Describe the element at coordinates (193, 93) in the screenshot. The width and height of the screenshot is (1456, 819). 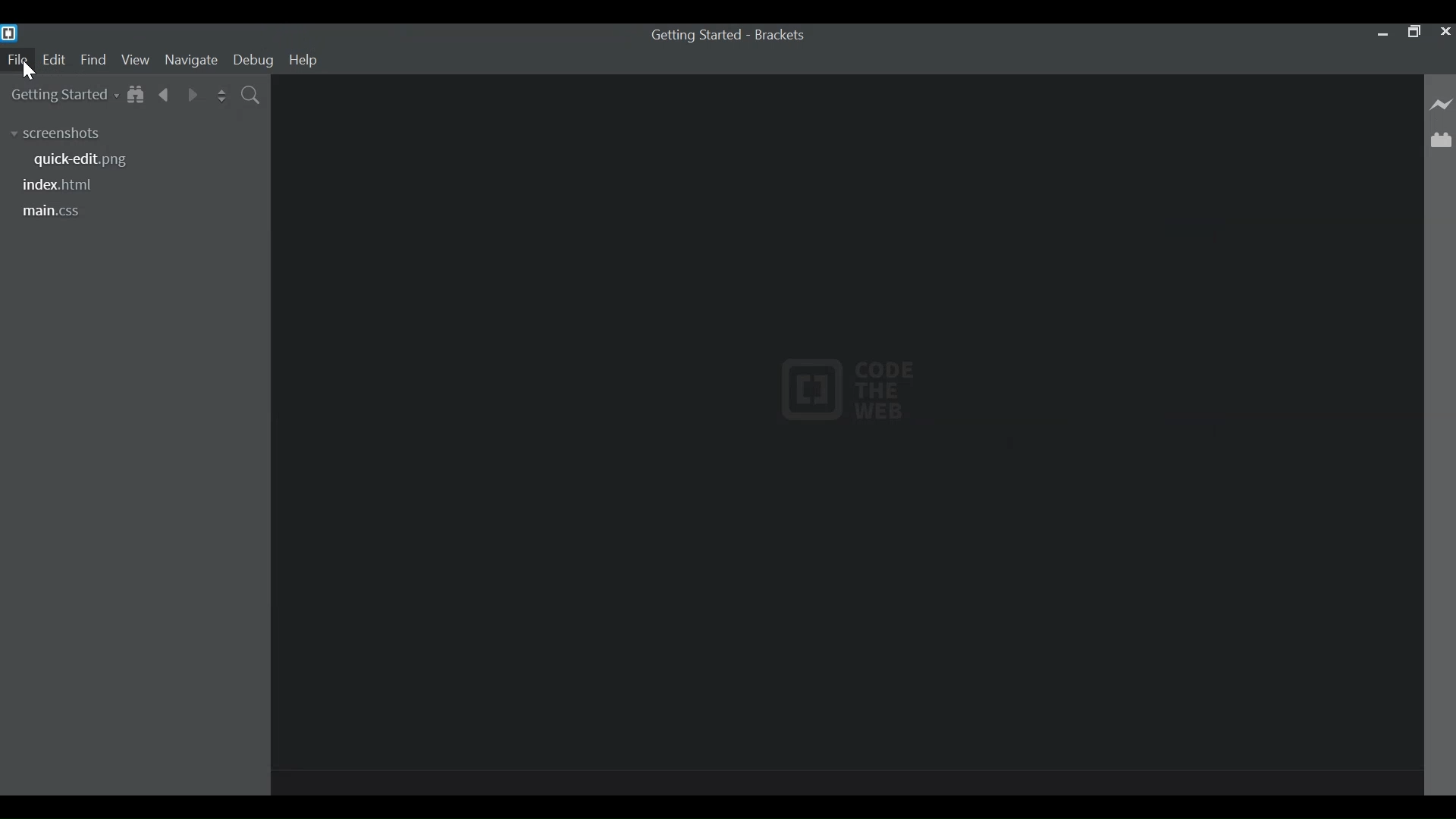
I see `Navigate Forward` at that location.